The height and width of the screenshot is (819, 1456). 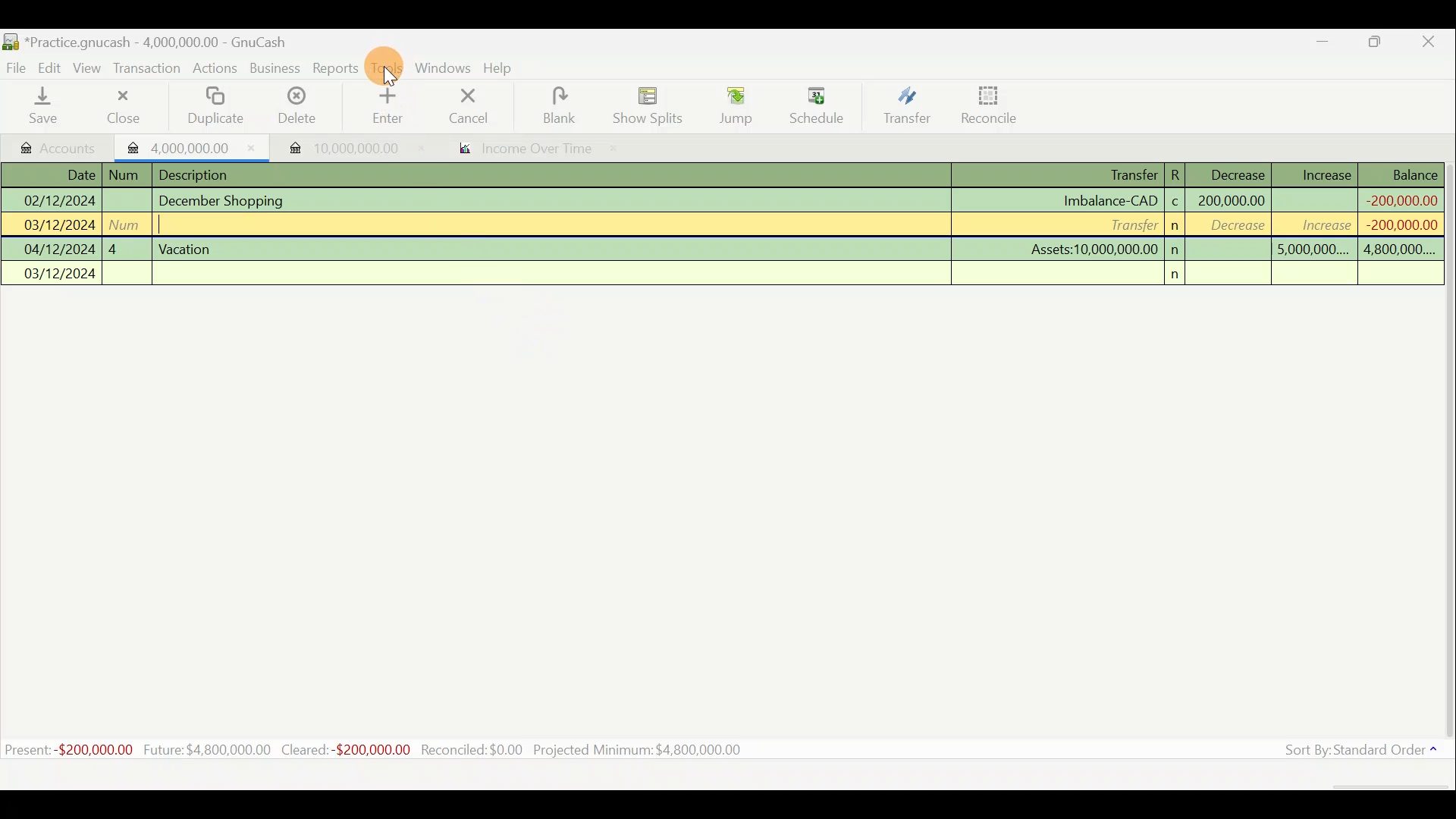 I want to click on File, so click(x=17, y=65).